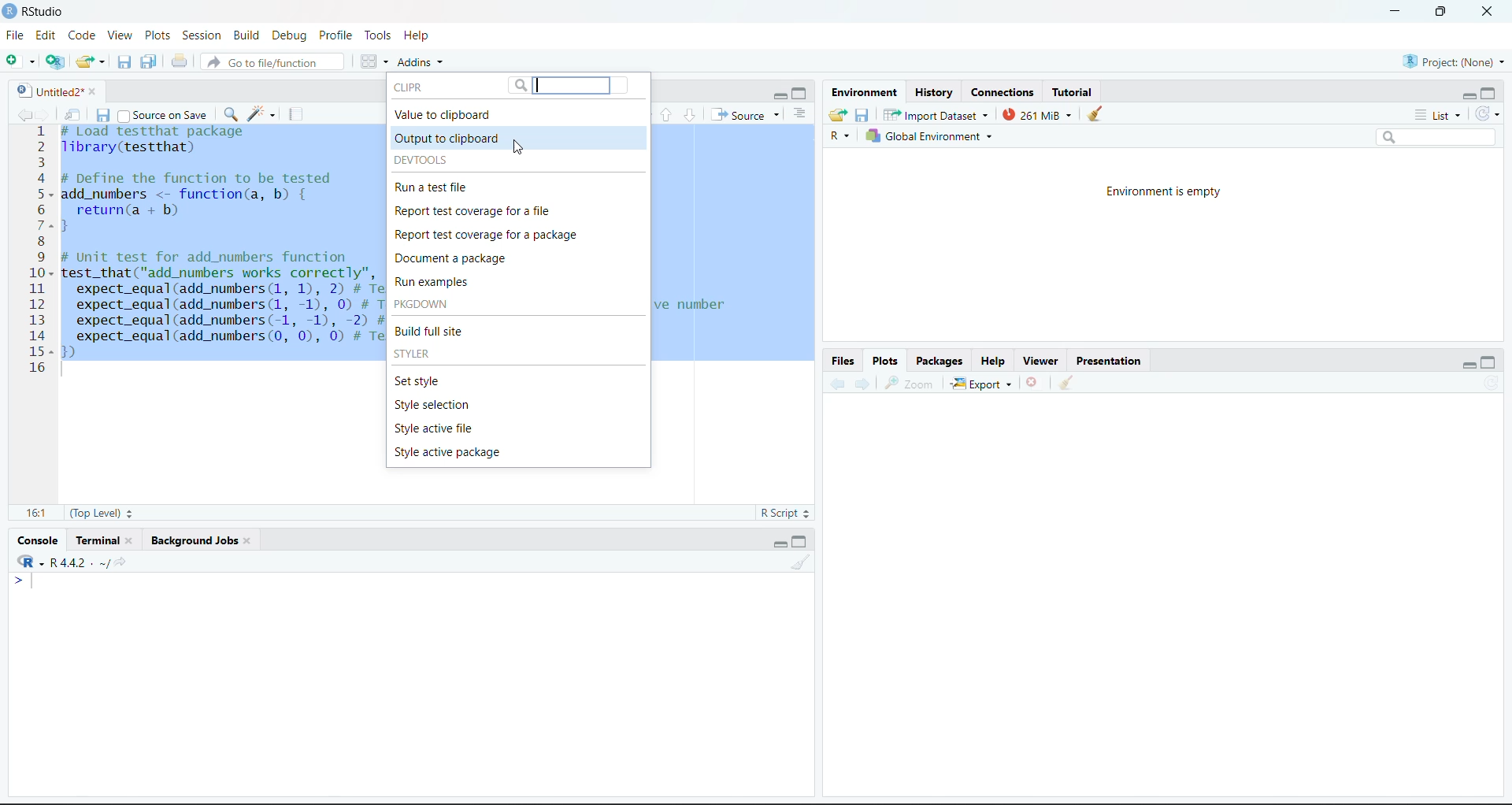  What do you see at coordinates (774, 94) in the screenshot?
I see `minimize` at bounding box center [774, 94].